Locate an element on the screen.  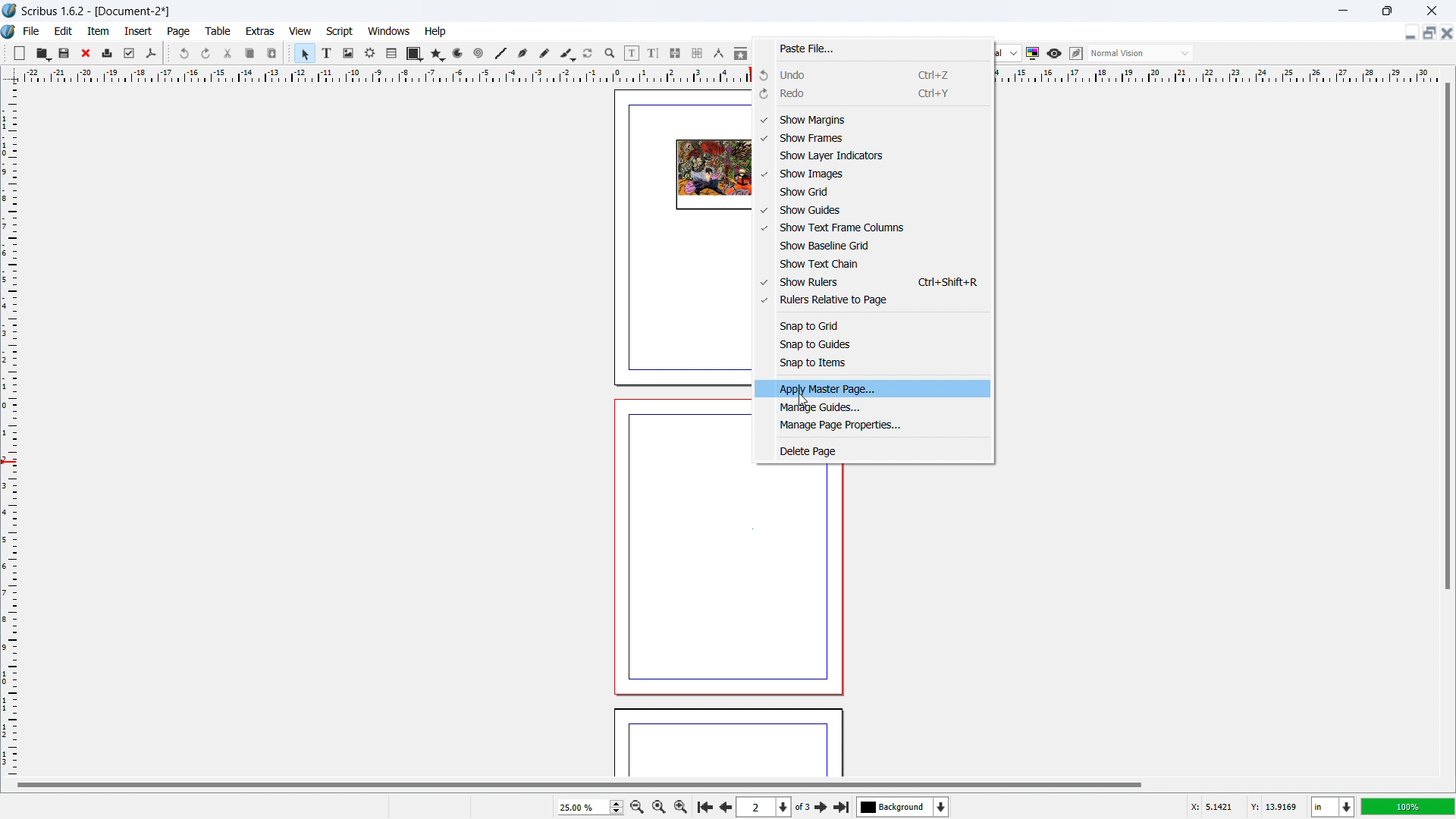
close is located at coordinates (87, 53).